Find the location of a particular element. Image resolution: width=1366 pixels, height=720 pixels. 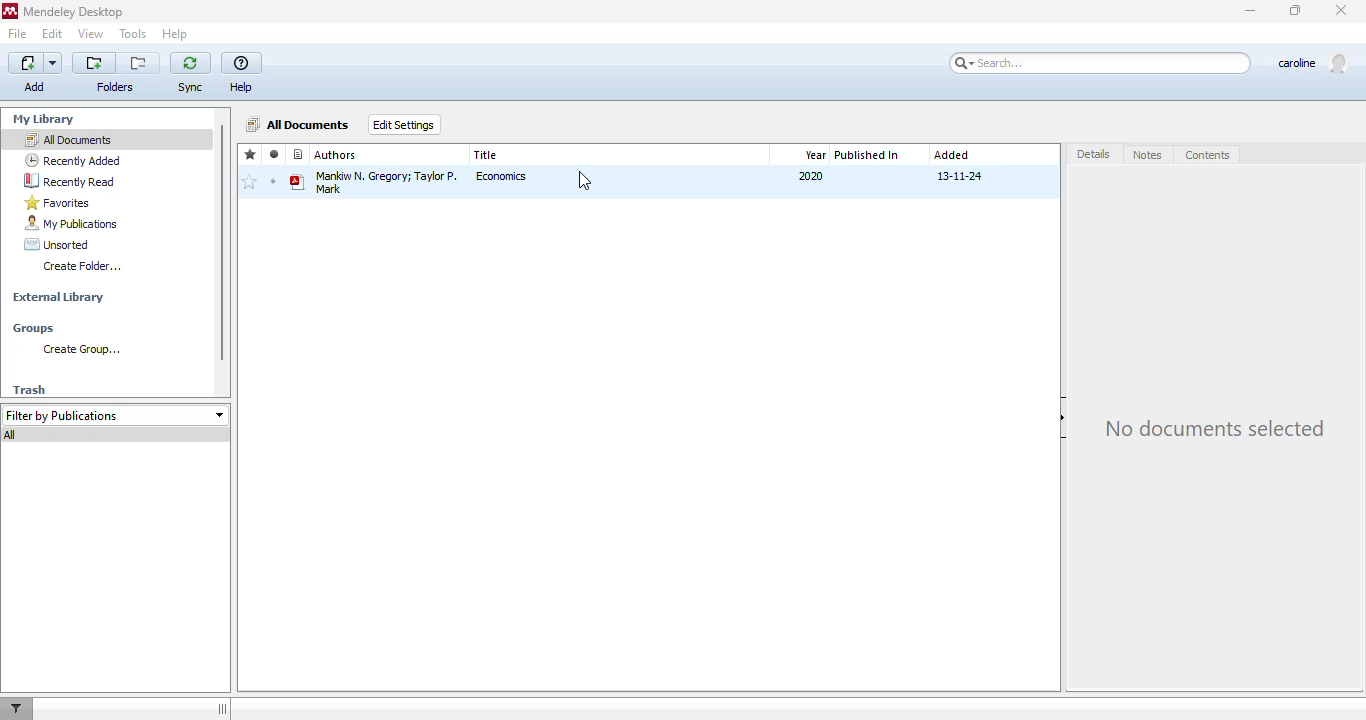

my publications is located at coordinates (71, 223).